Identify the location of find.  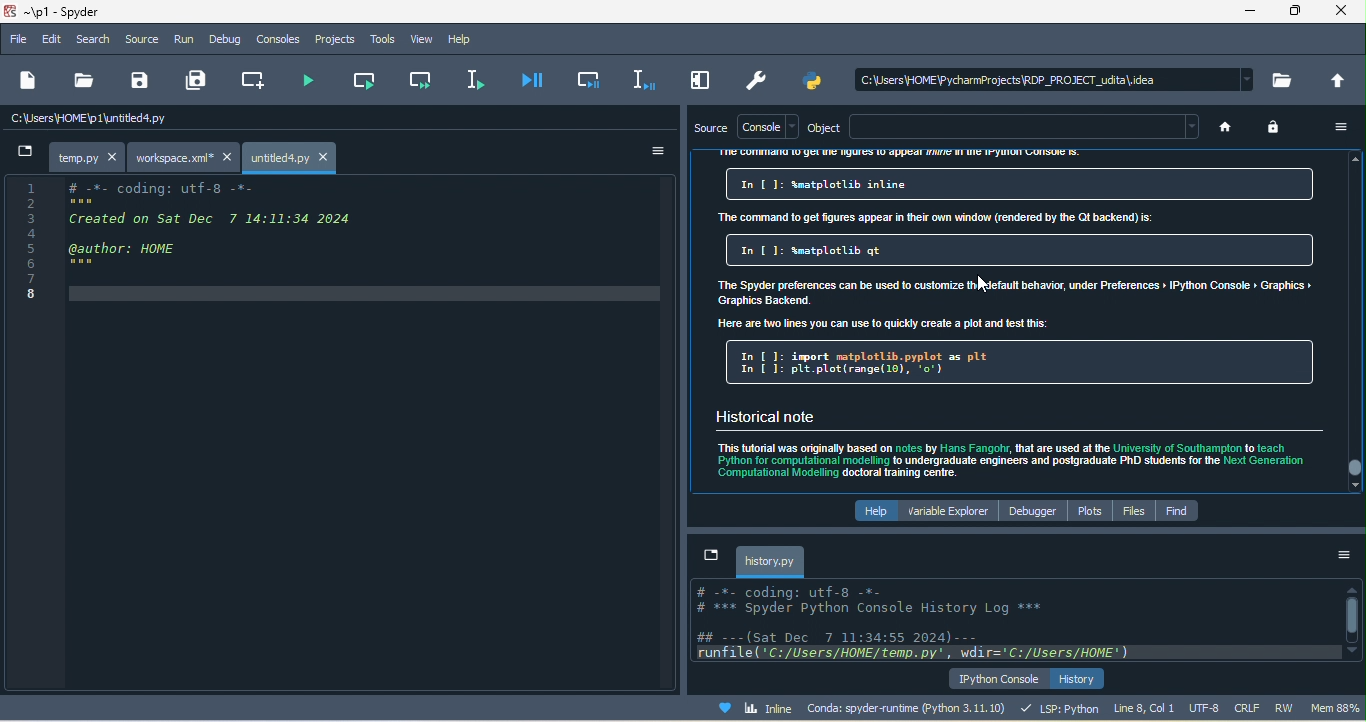
(1179, 513).